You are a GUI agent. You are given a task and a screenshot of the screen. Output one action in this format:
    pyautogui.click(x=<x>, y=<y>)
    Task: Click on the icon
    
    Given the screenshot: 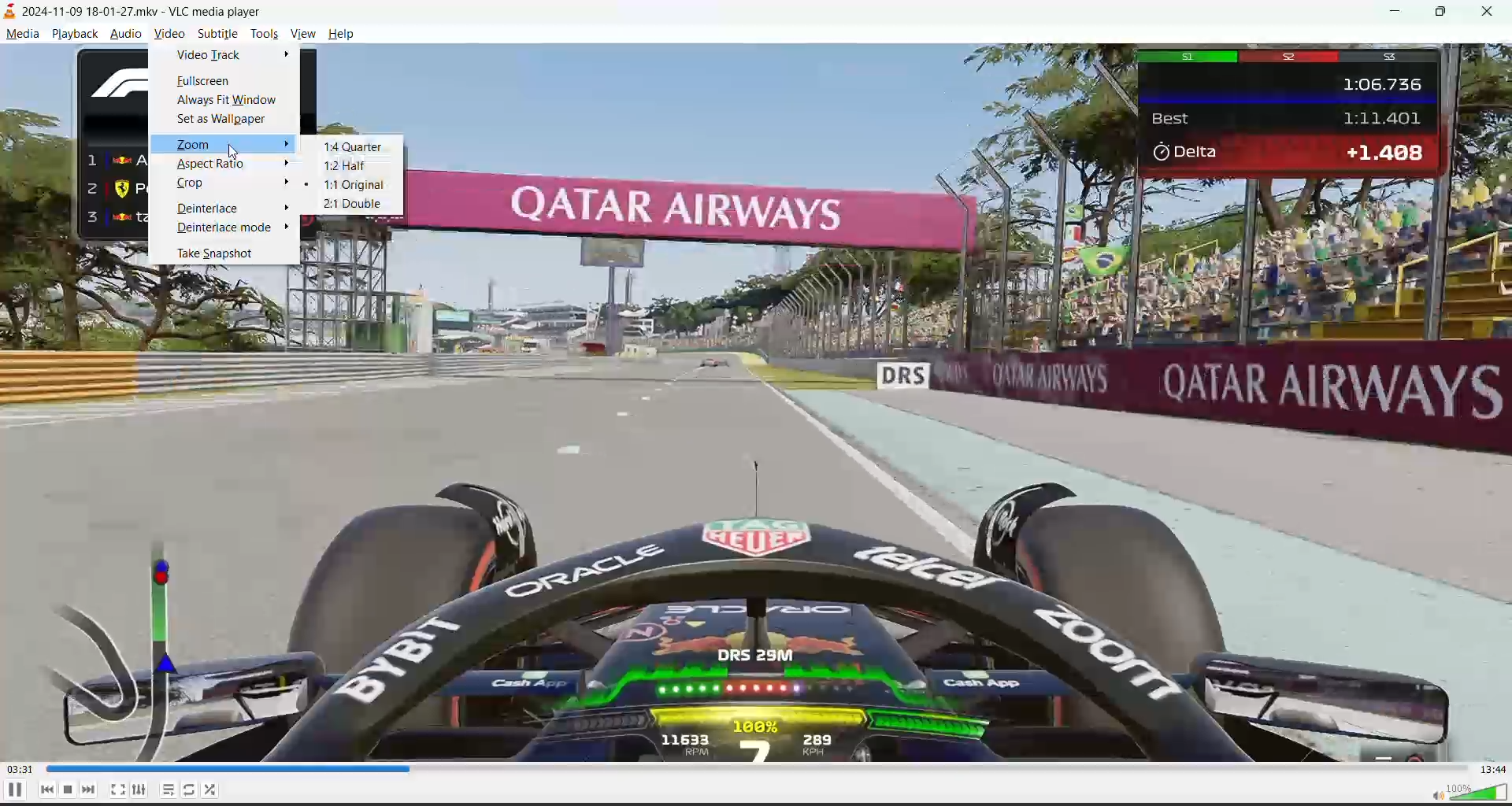 What is the action you would take?
    pyautogui.click(x=13, y=12)
    